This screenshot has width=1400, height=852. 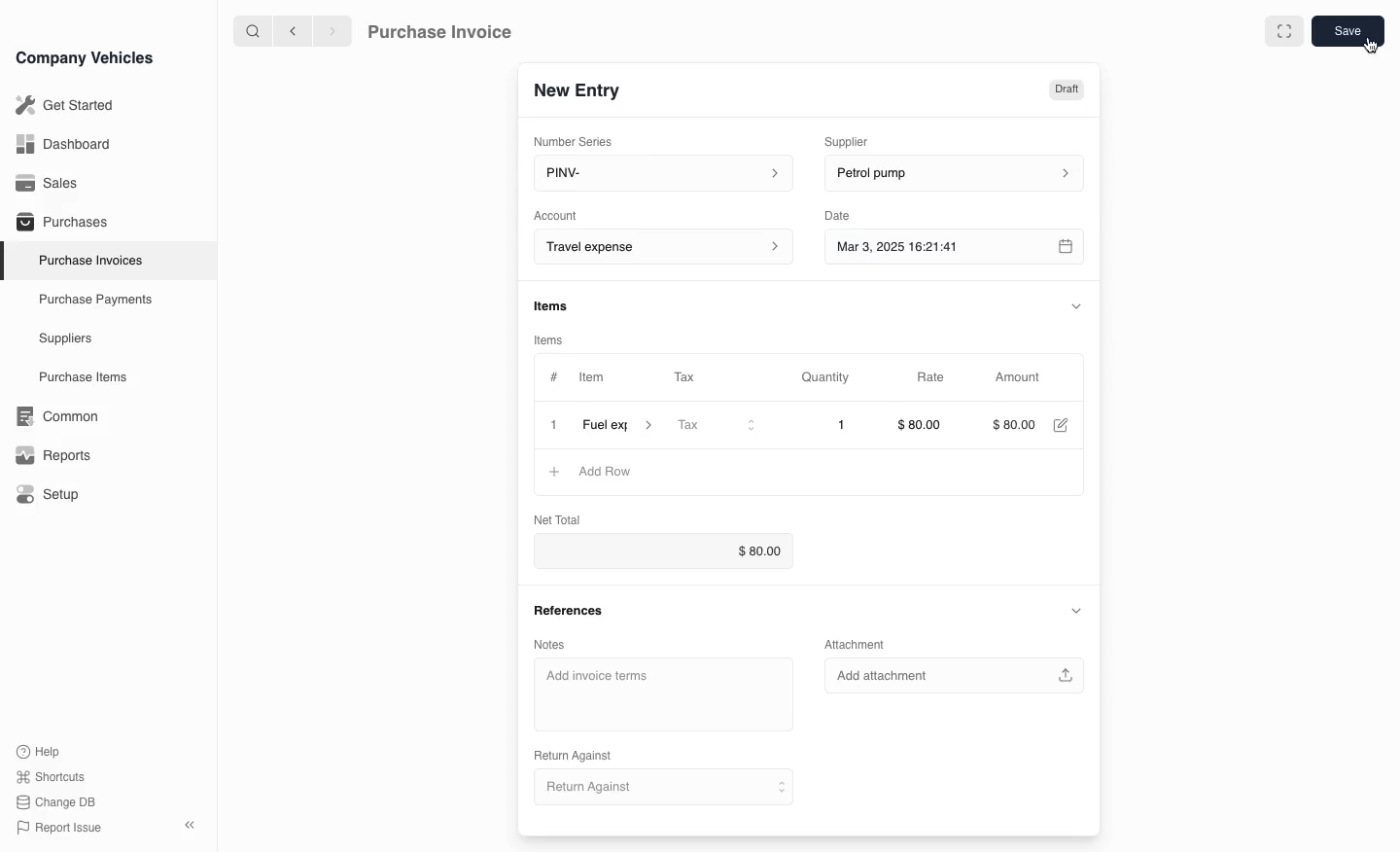 What do you see at coordinates (1022, 377) in the screenshot?
I see `Amount` at bounding box center [1022, 377].